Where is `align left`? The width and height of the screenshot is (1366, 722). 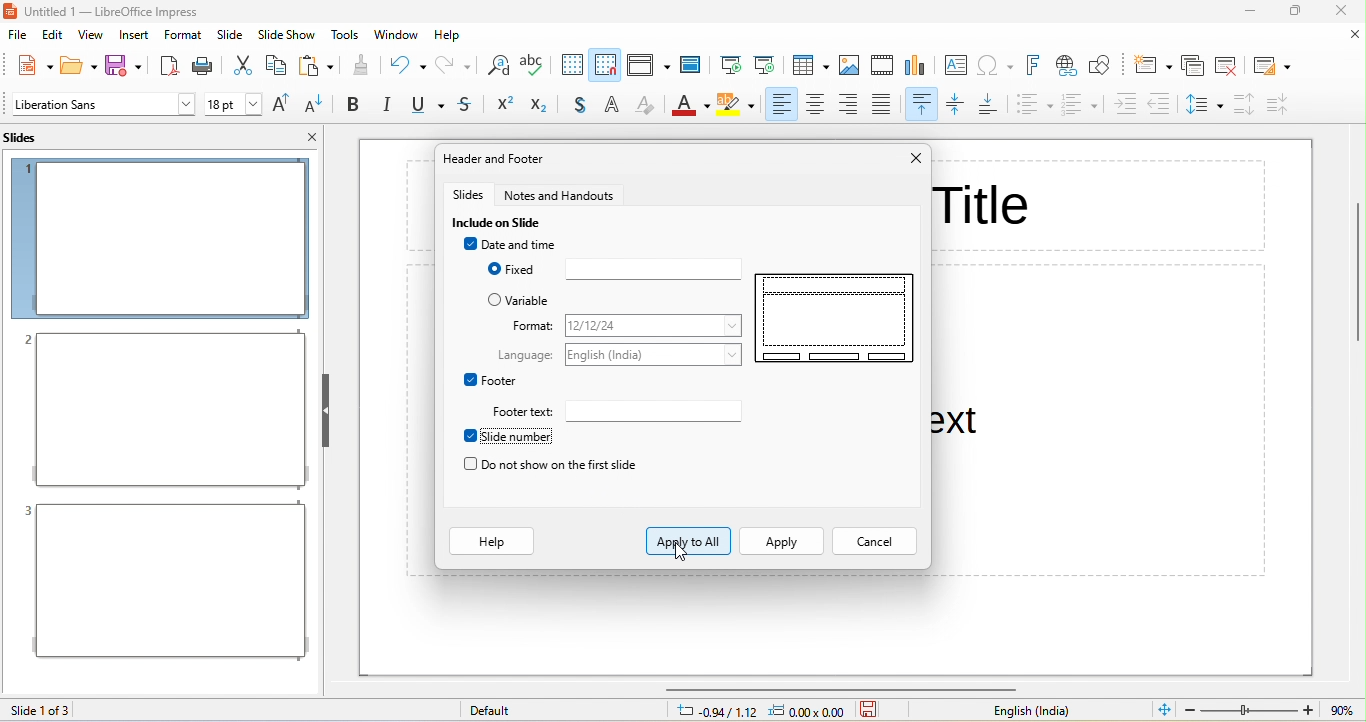 align left is located at coordinates (779, 105).